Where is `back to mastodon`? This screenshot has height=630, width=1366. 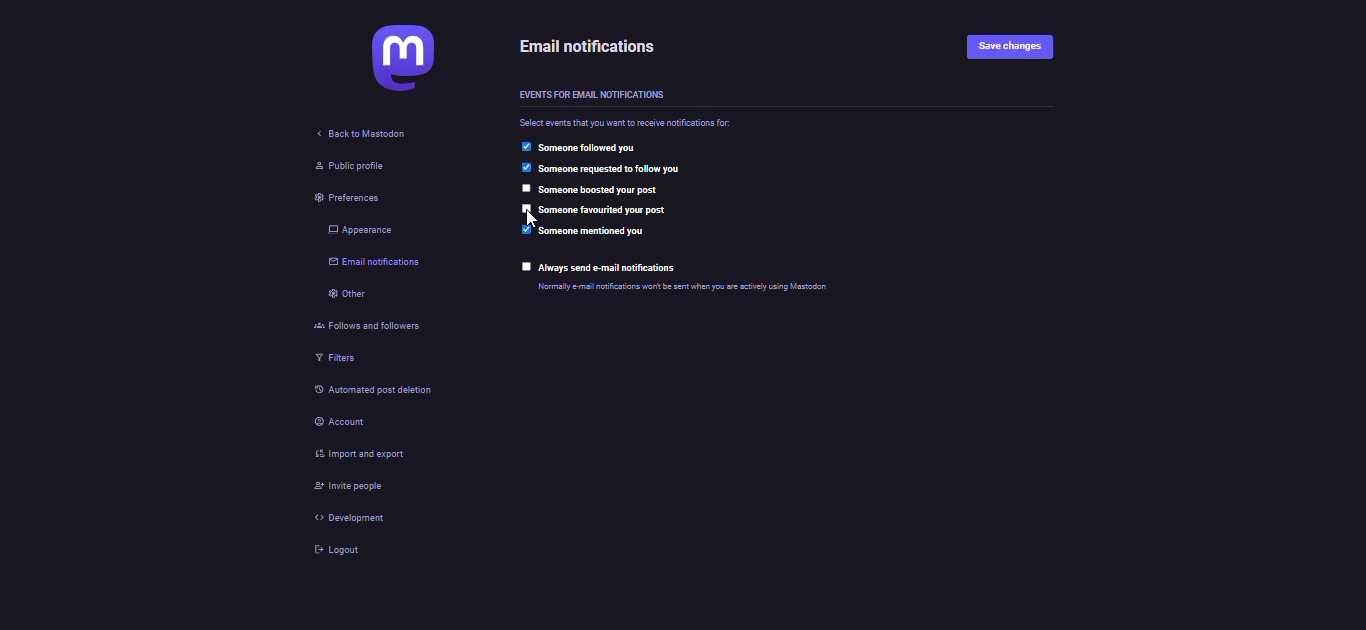 back to mastodon is located at coordinates (362, 132).